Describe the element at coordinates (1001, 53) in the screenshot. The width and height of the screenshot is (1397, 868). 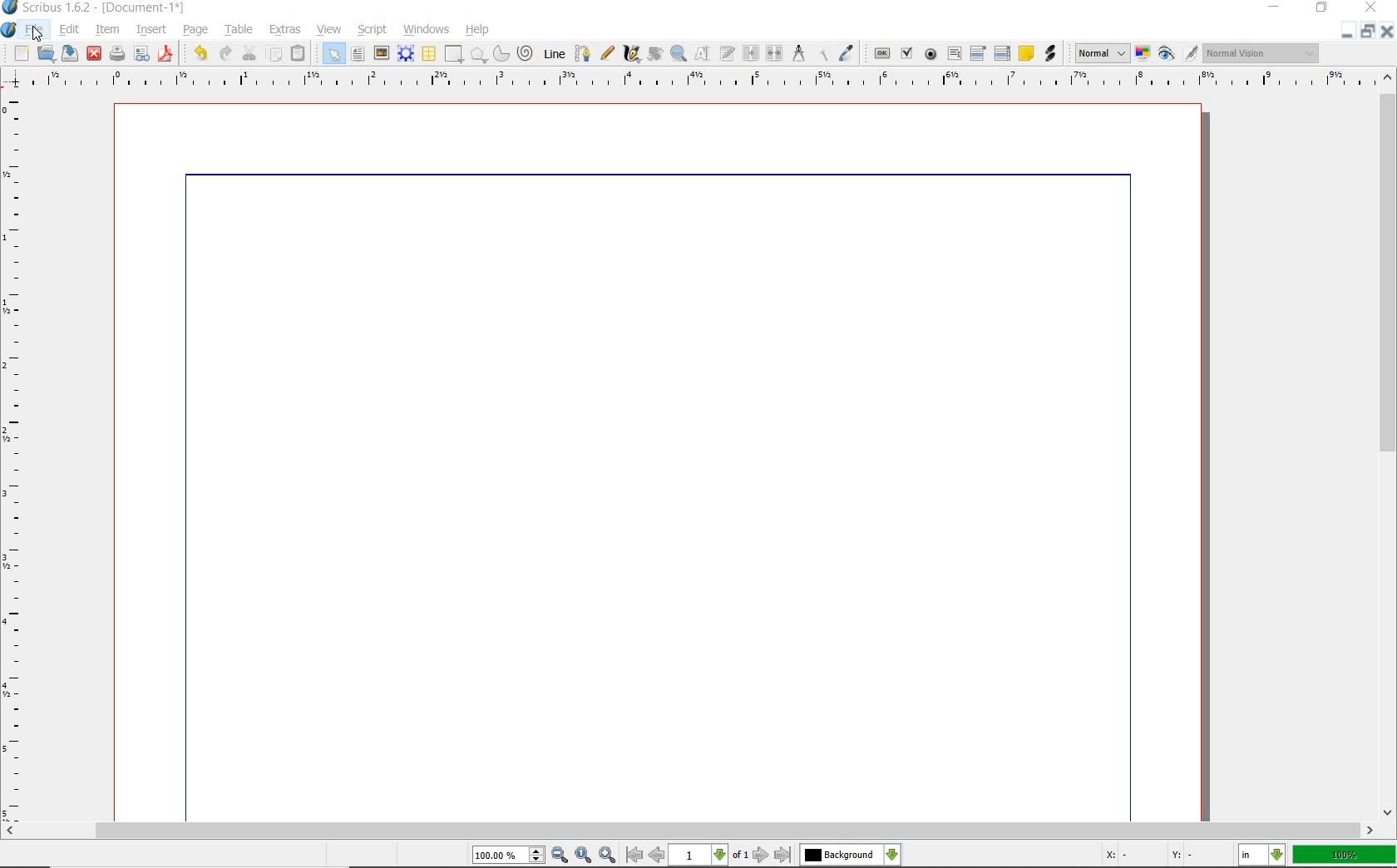
I see `pdf list box` at that location.